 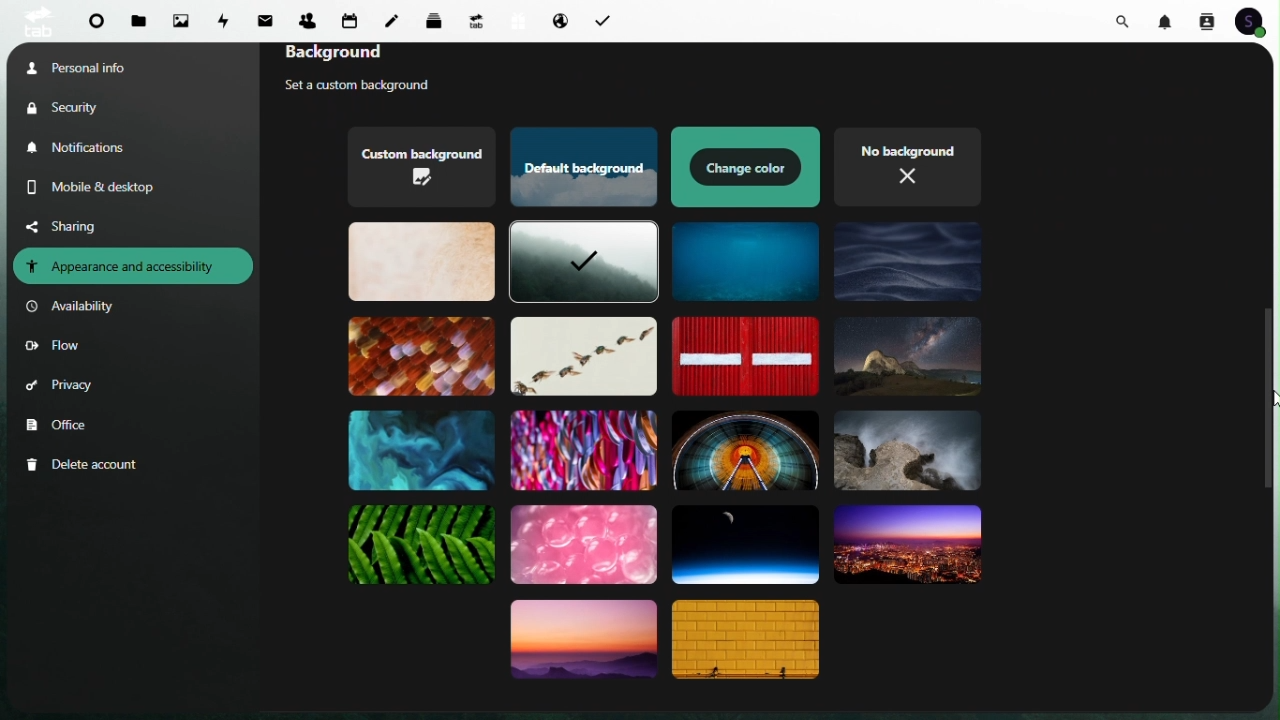 I want to click on Calendar, so click(x=350, y=20).